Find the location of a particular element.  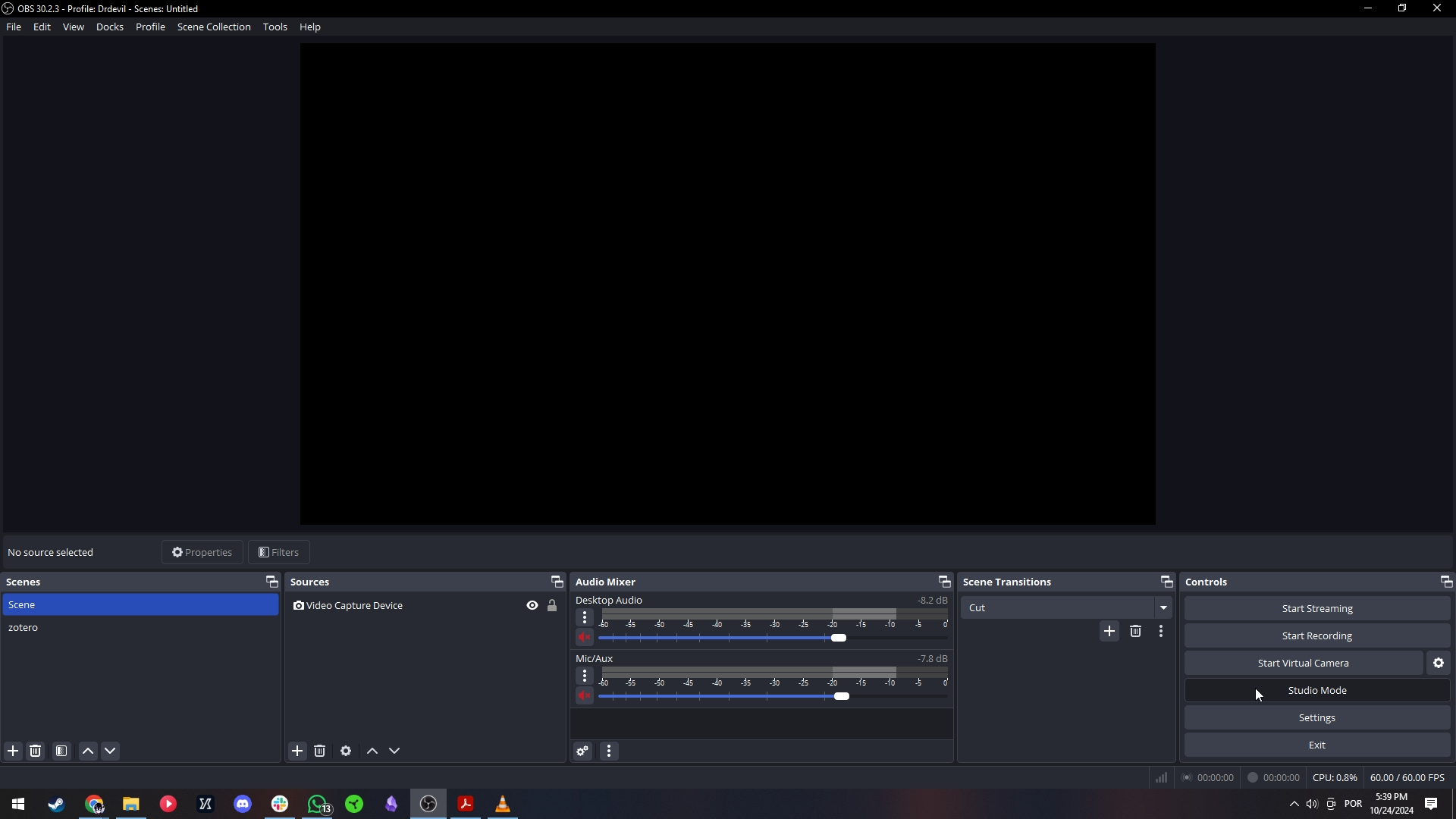

tools is located at coordinates (55, 803).